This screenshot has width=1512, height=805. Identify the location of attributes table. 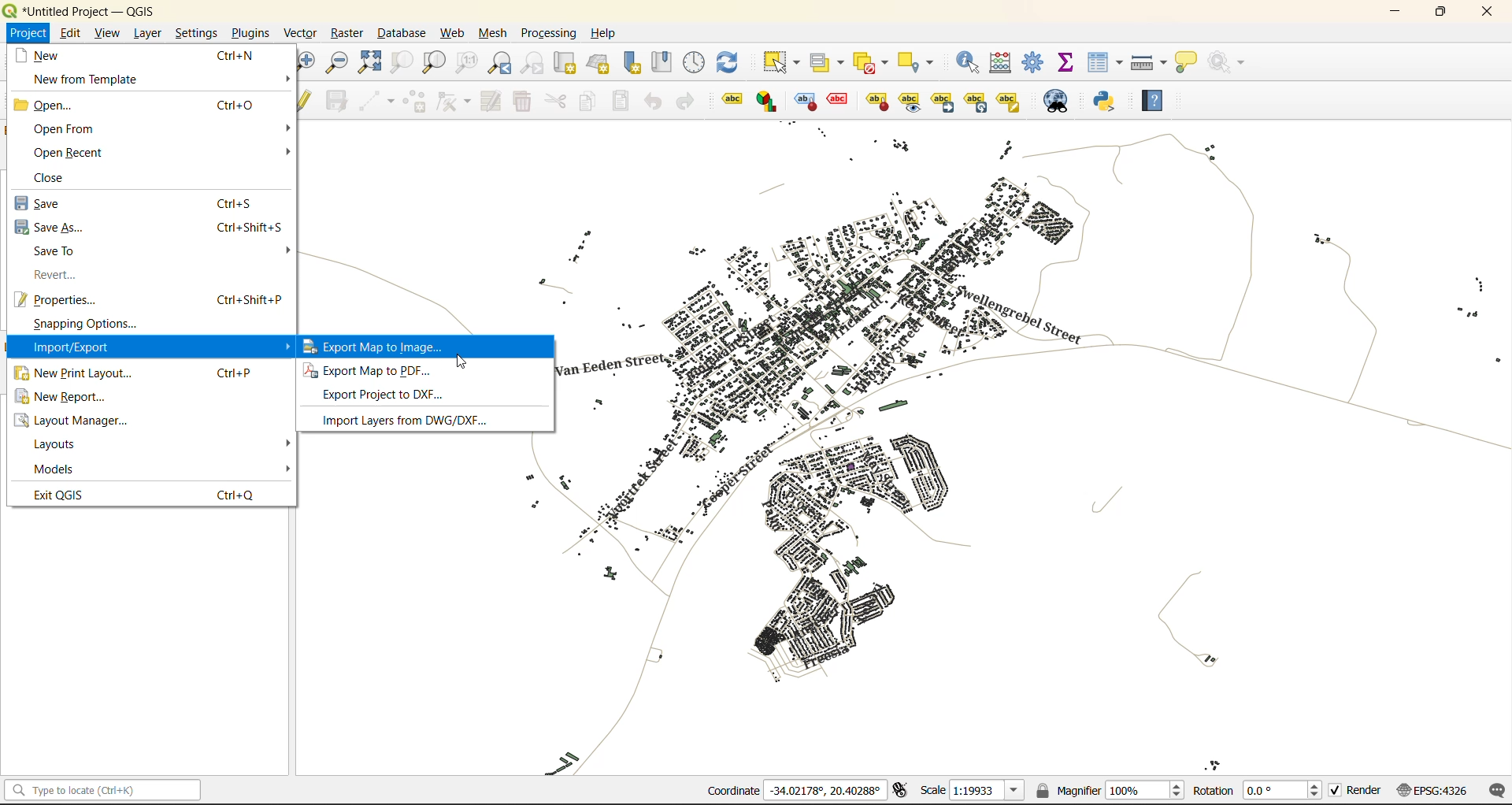
(1106, 63).